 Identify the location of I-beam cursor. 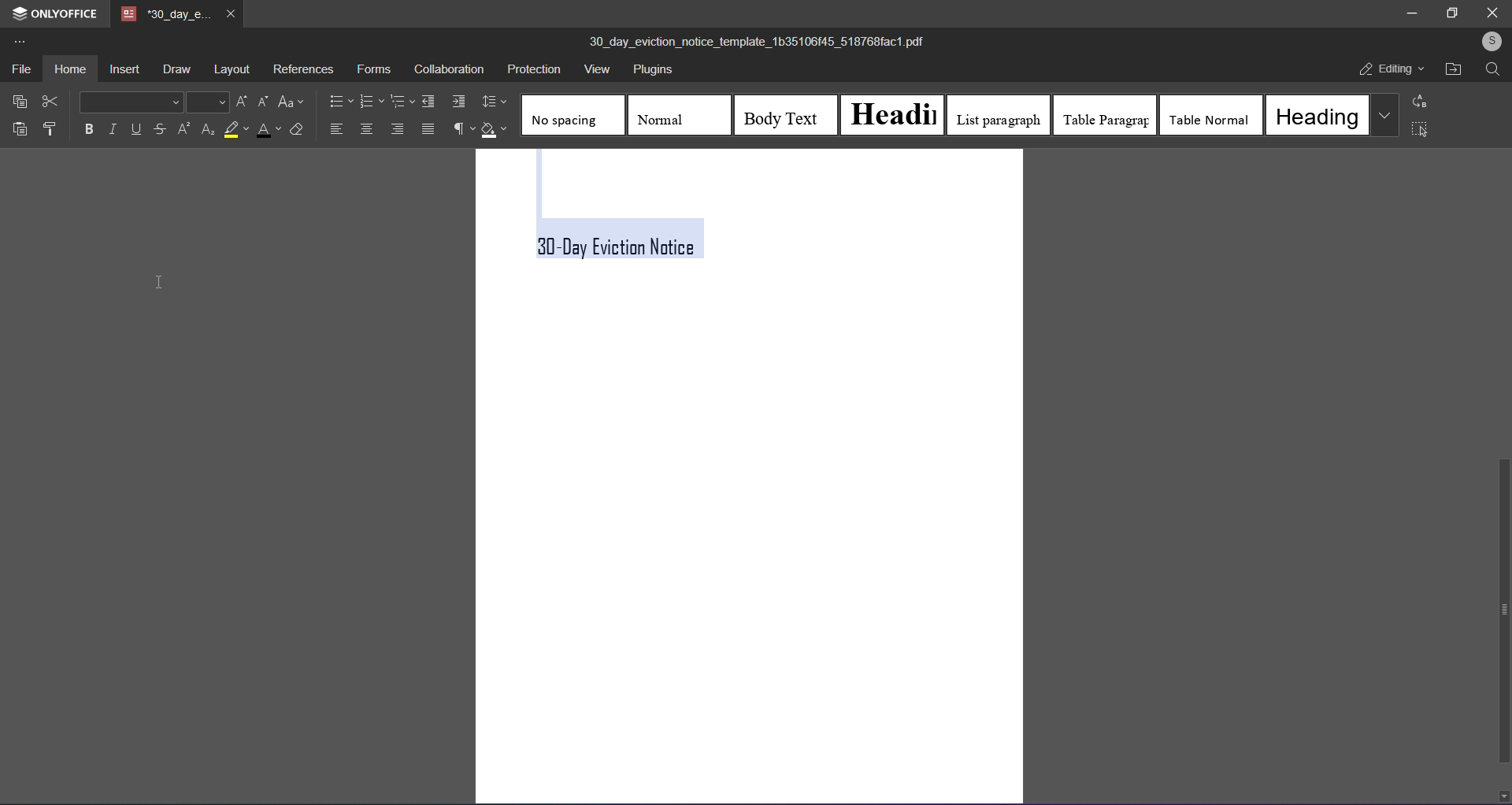
(157, 282).